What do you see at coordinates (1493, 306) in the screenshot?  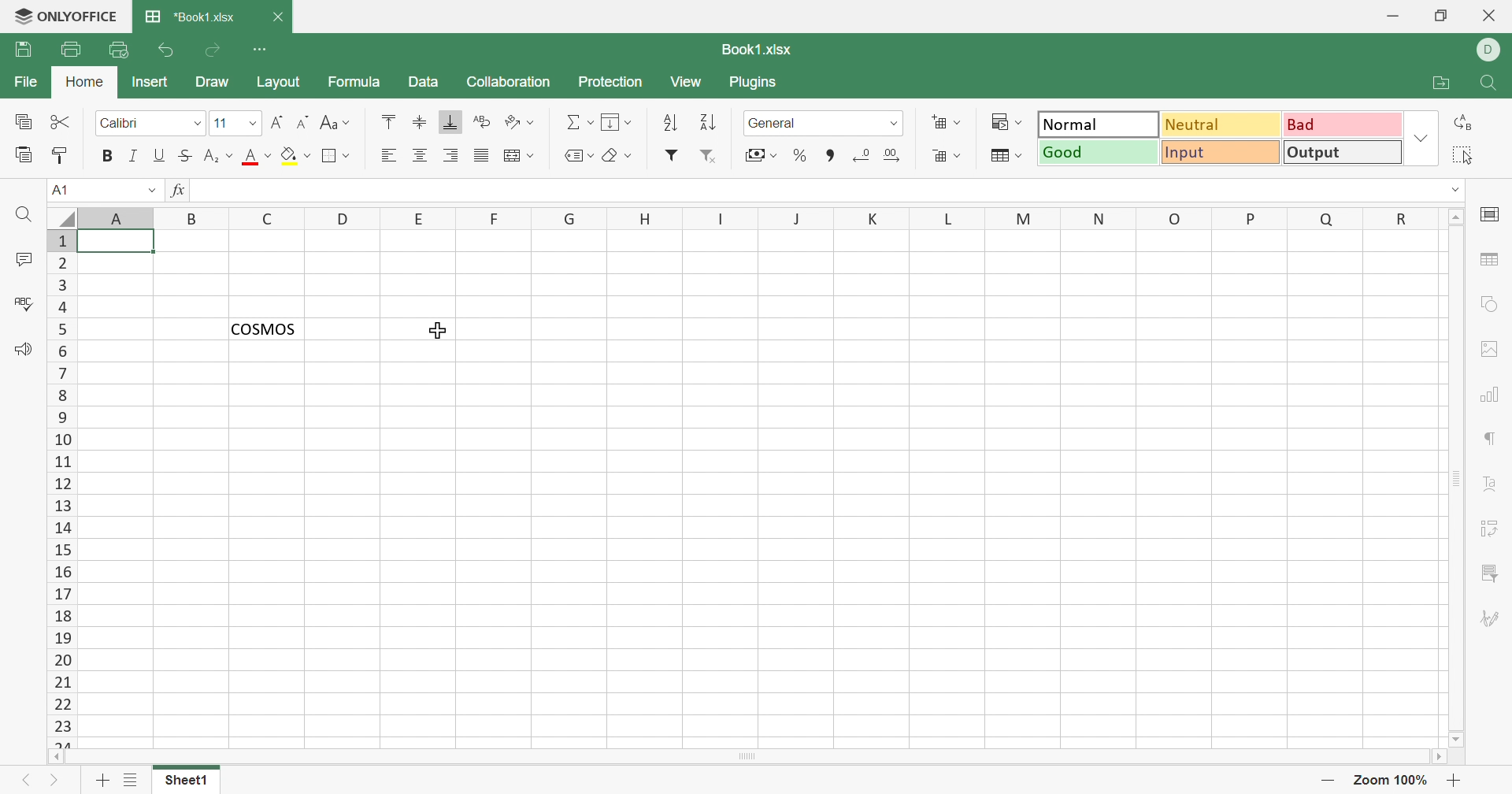 I see `Shape settings` at bounding box center [1493, 306].